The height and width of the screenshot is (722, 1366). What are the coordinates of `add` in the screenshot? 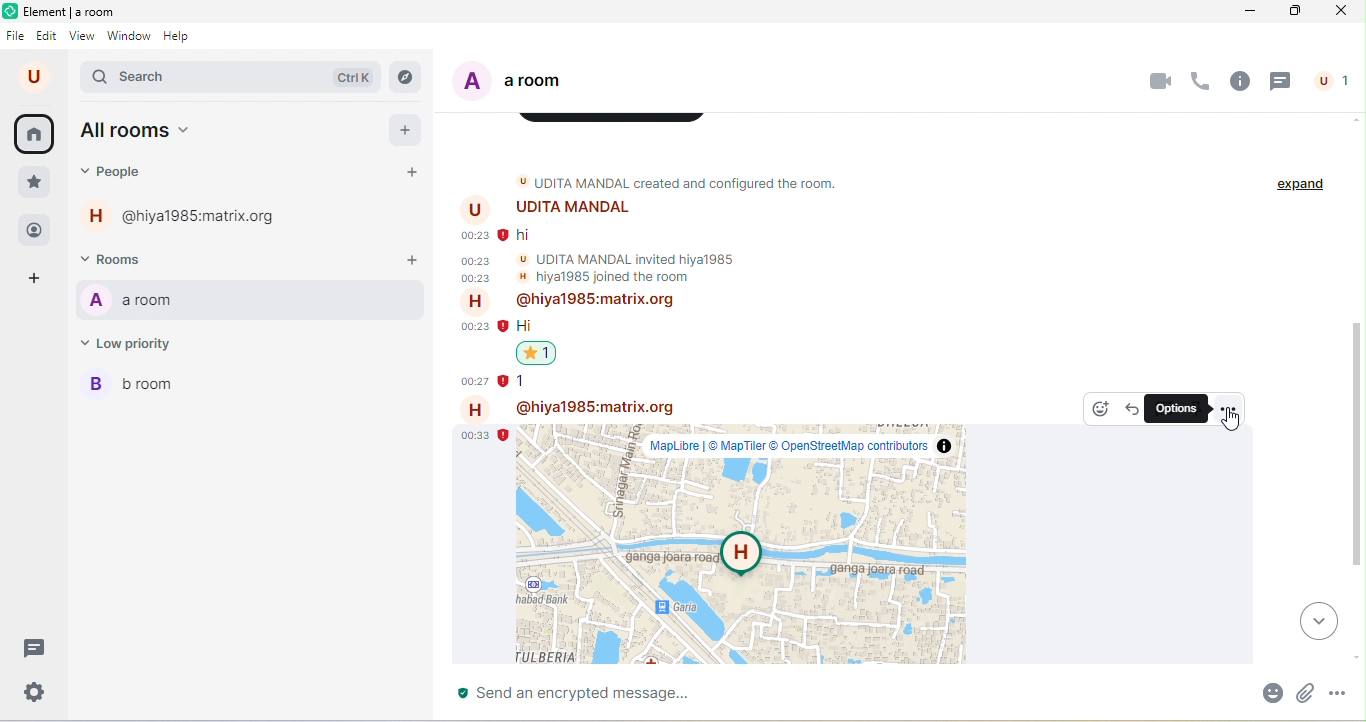 It's located at (407, 130).